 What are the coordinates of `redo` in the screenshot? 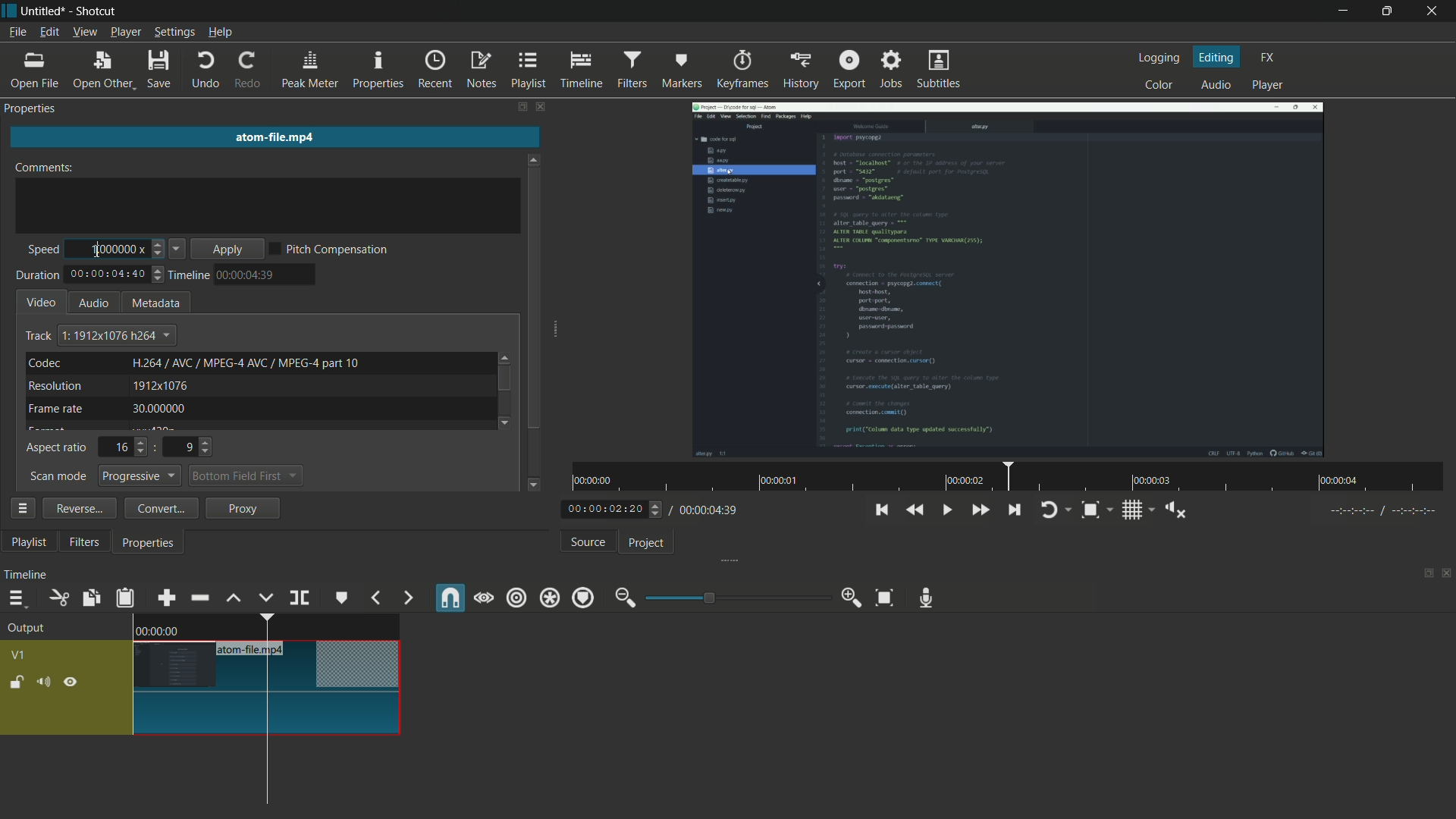 It's located at (249, 70).